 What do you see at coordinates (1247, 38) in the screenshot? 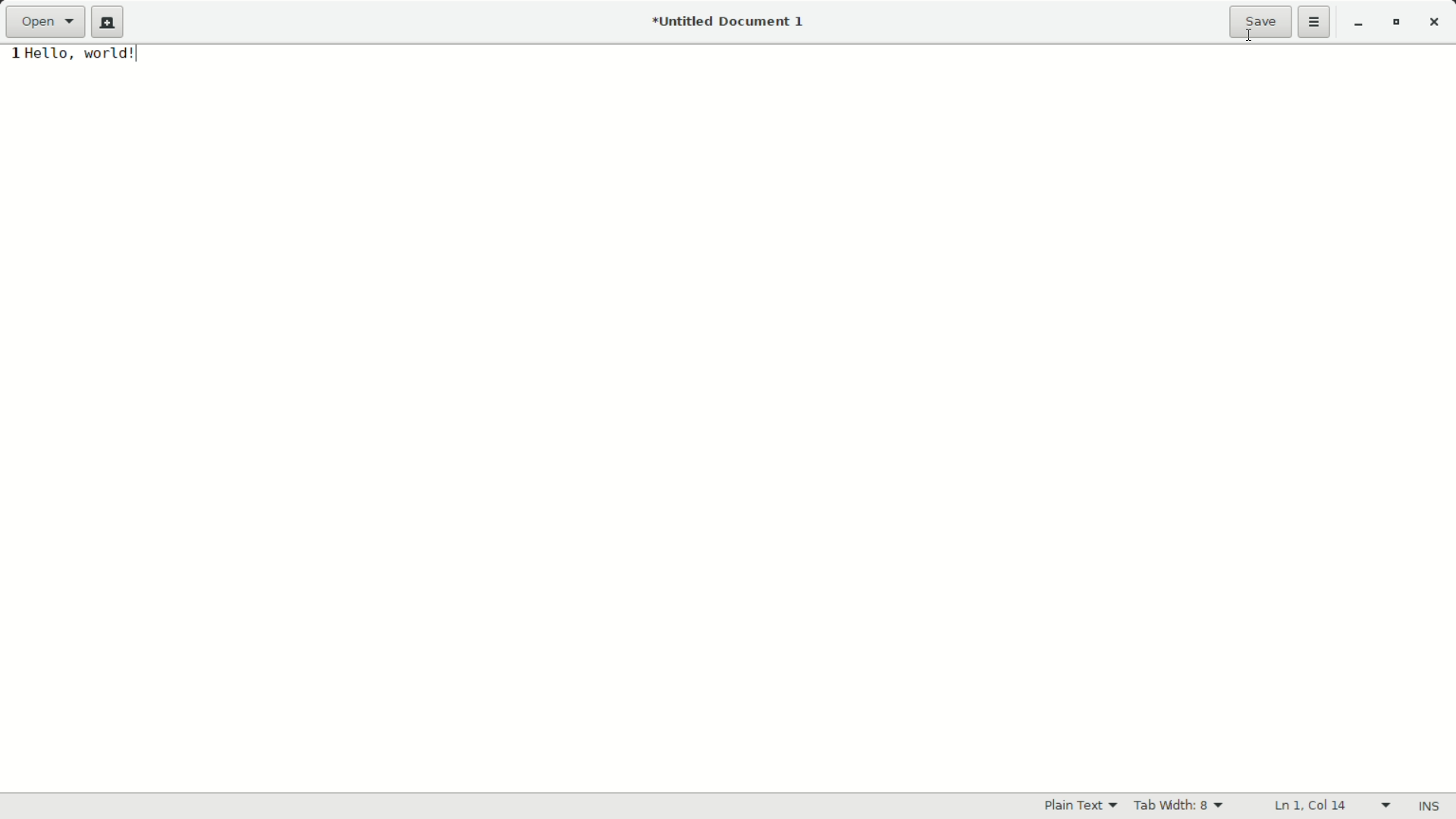
I see `cursor` at bounding box center [1247, 38].